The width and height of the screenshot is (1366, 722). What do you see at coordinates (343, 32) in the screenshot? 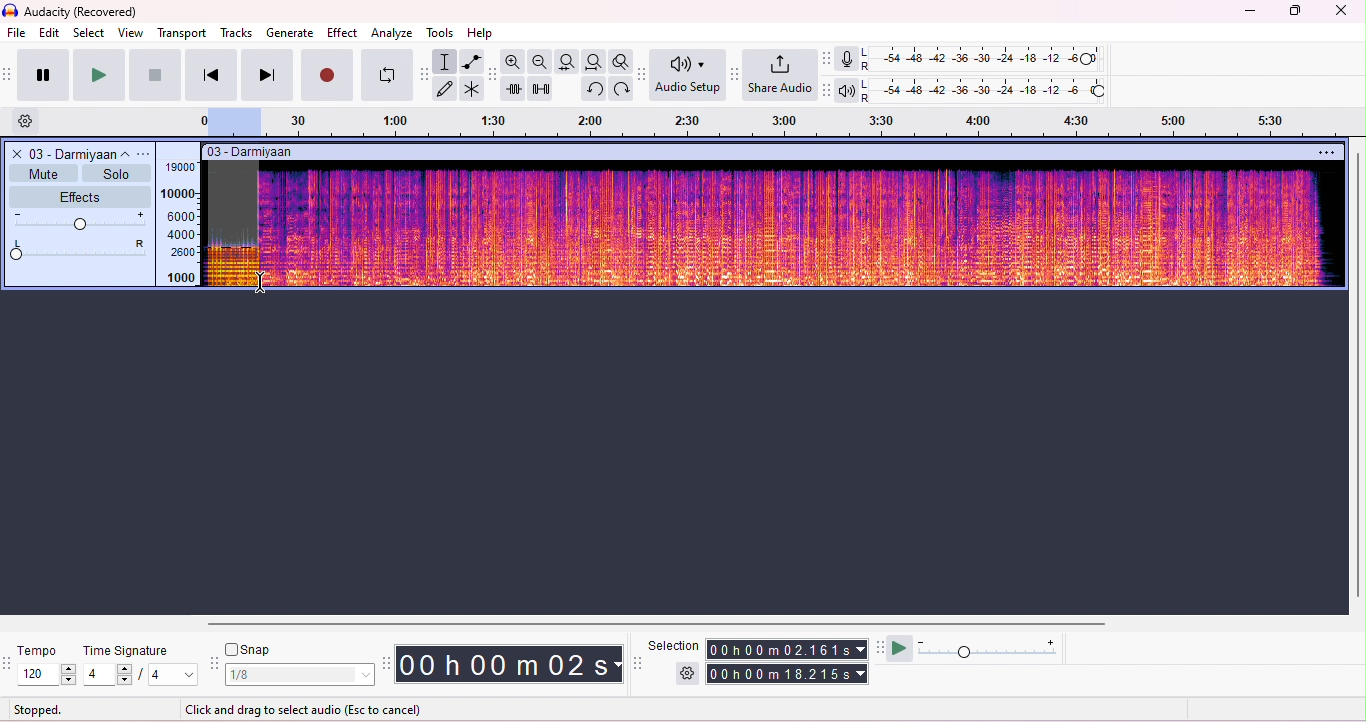
I see `effect` at bounding box center [343, 32].